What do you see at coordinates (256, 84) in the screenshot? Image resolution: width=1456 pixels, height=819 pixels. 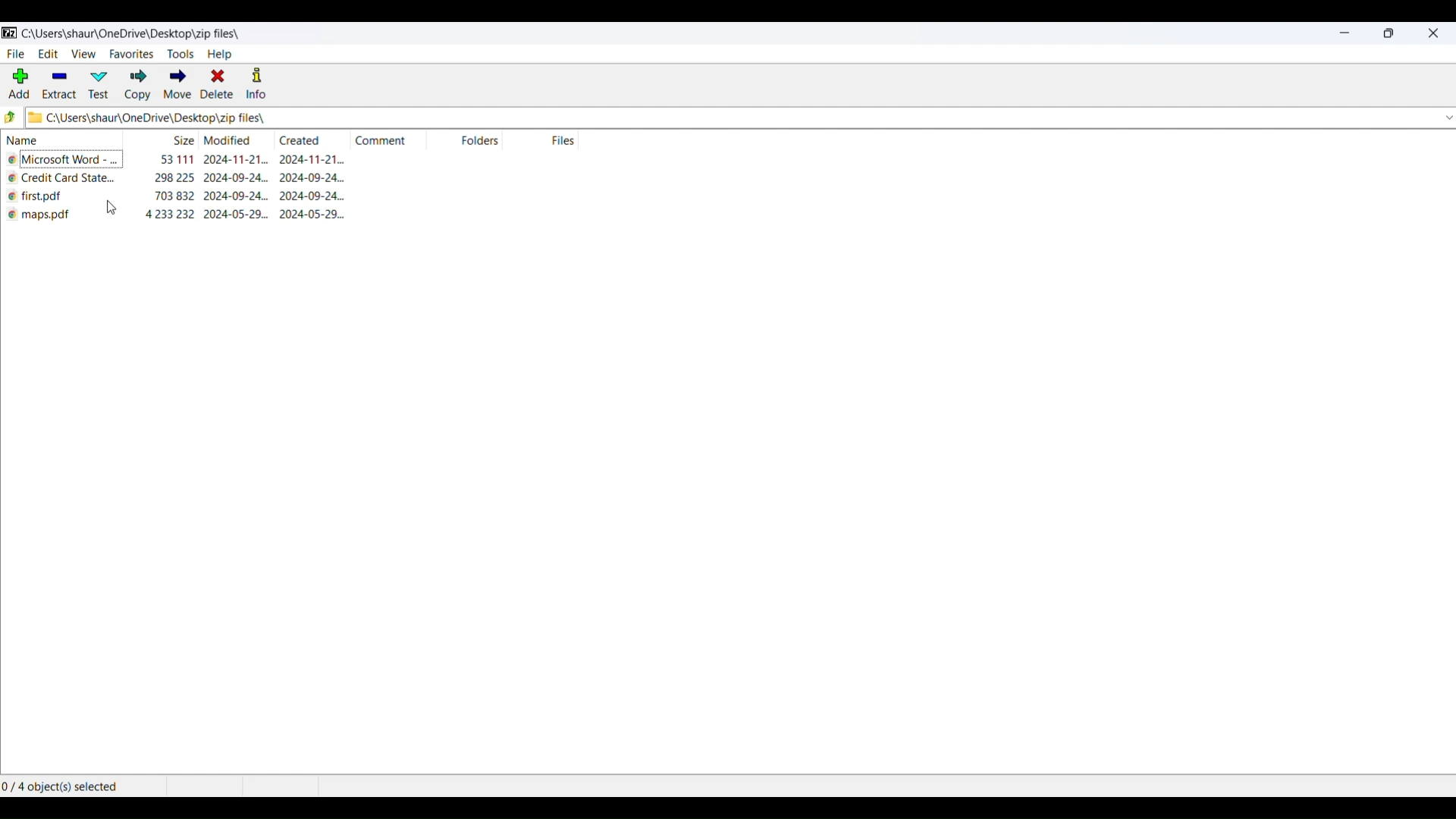 I see `info` at bounding box center [256, 84].